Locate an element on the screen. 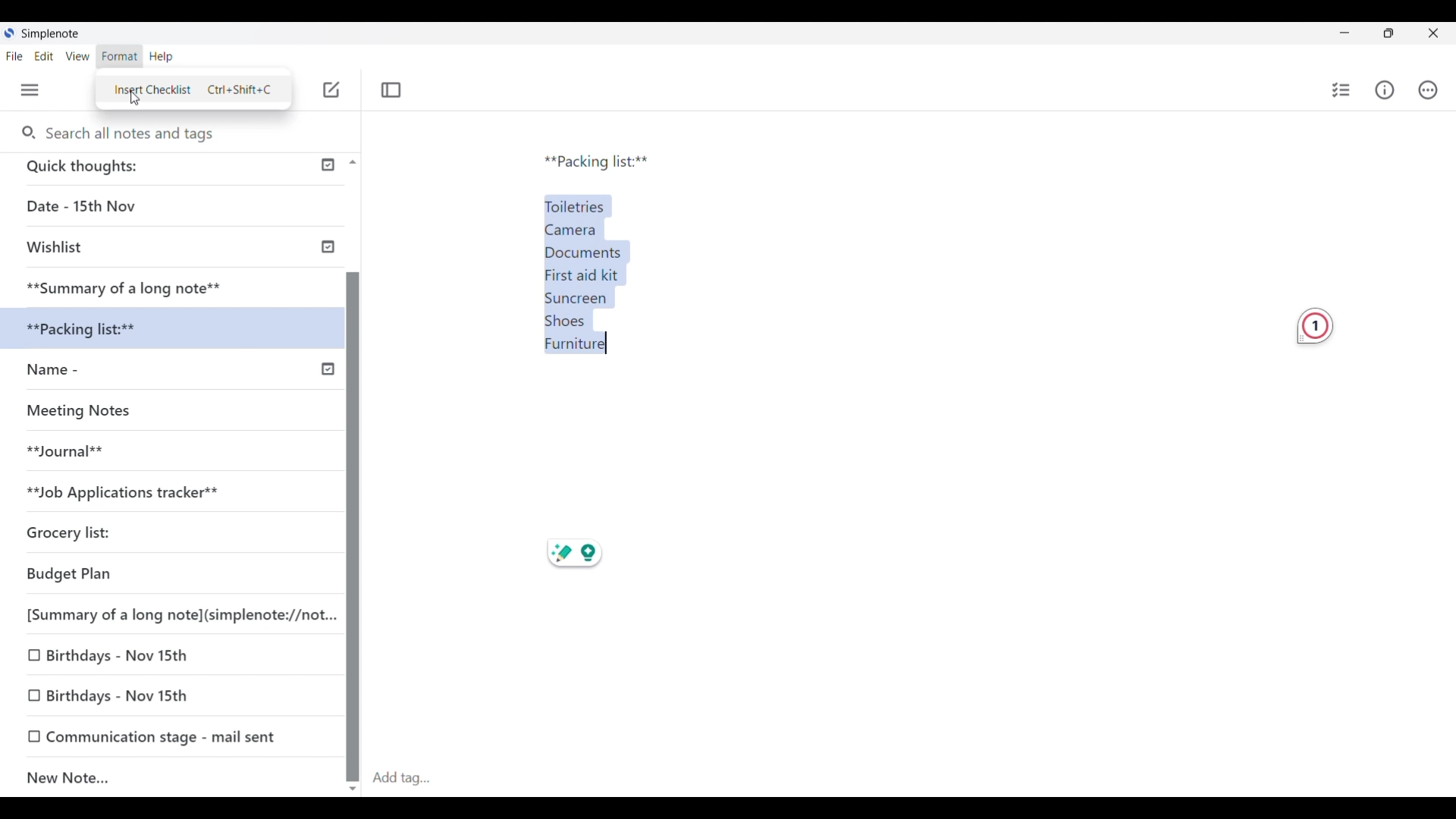 Image resolution: width=1456 pixels, height=819 pixels. Search all notes and tags is located at coordinates (134, 133).